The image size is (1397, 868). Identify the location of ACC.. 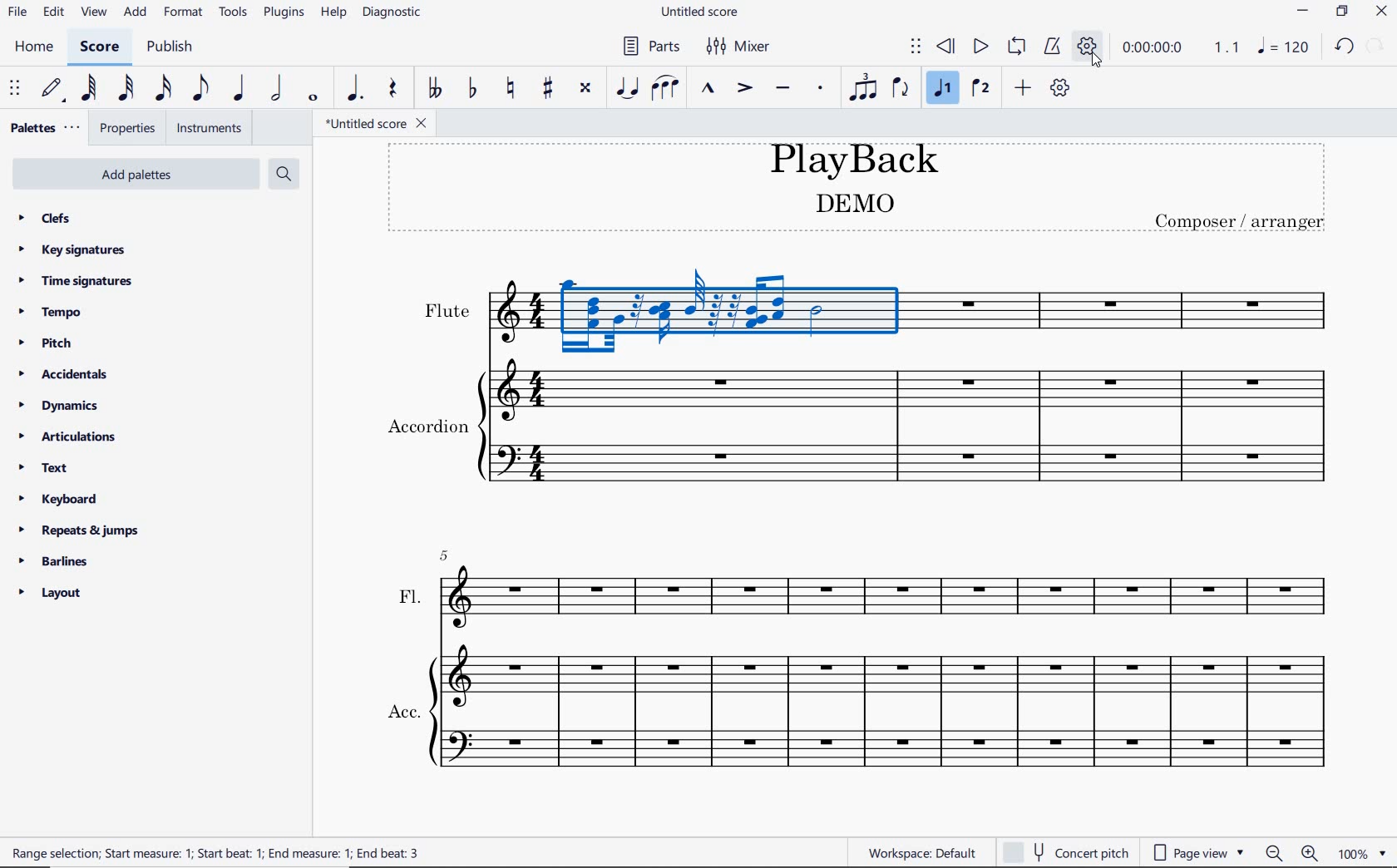
(862, 711).